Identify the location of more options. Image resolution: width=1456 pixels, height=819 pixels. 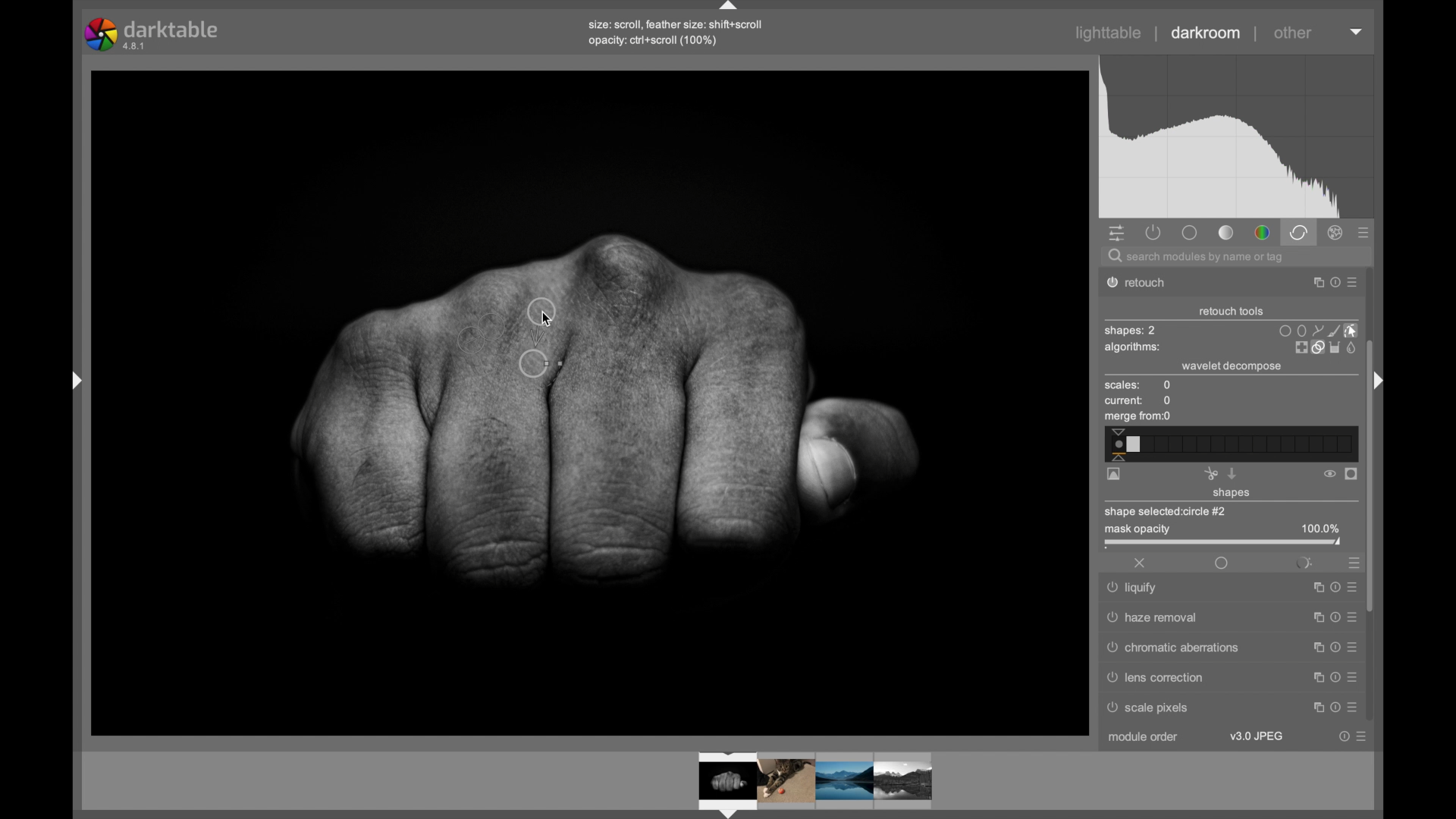
(1351, 676).